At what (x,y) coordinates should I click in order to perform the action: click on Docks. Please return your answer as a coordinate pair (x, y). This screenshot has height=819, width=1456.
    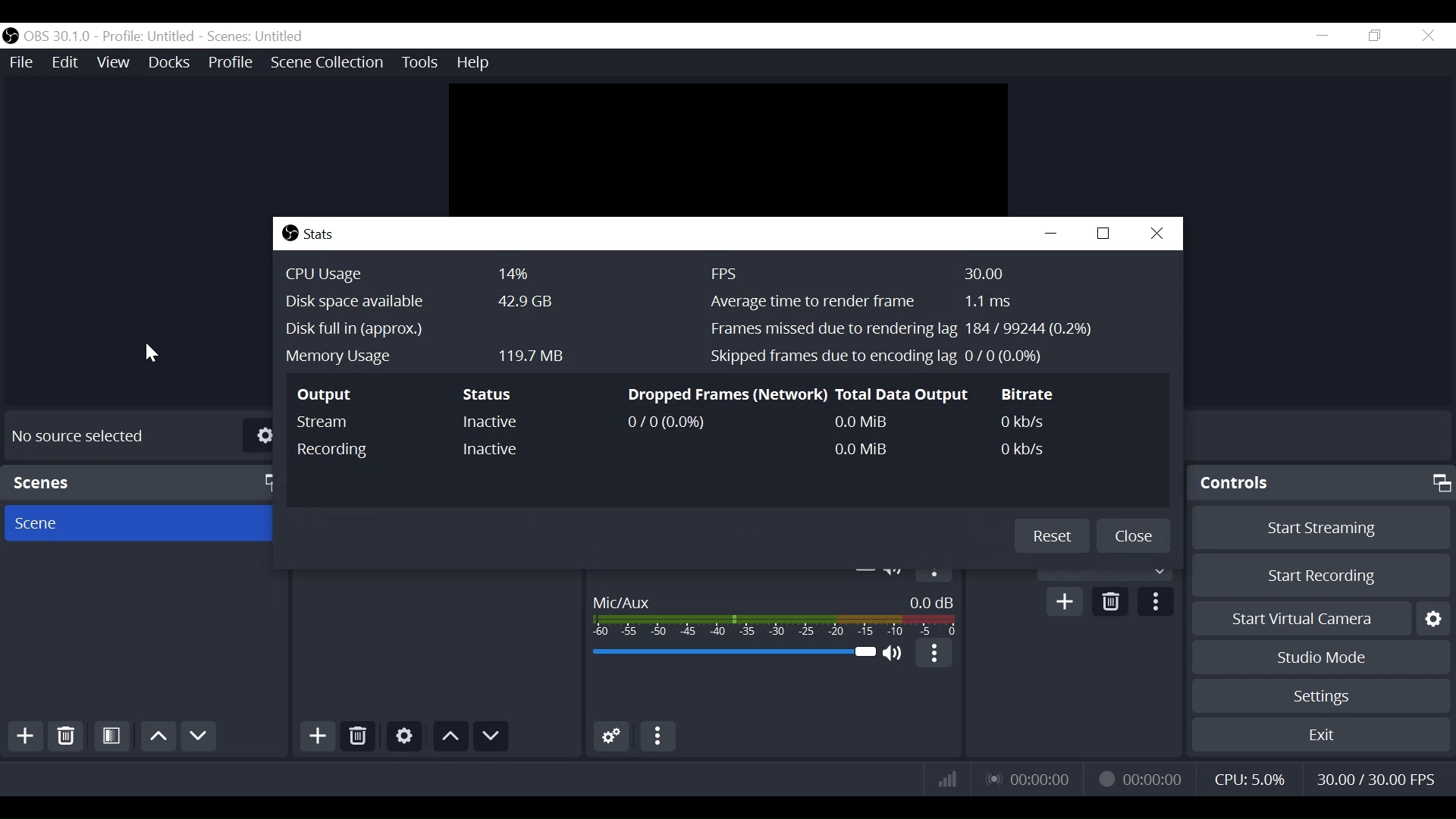
    Looking at the image, I should click on (169, 63).